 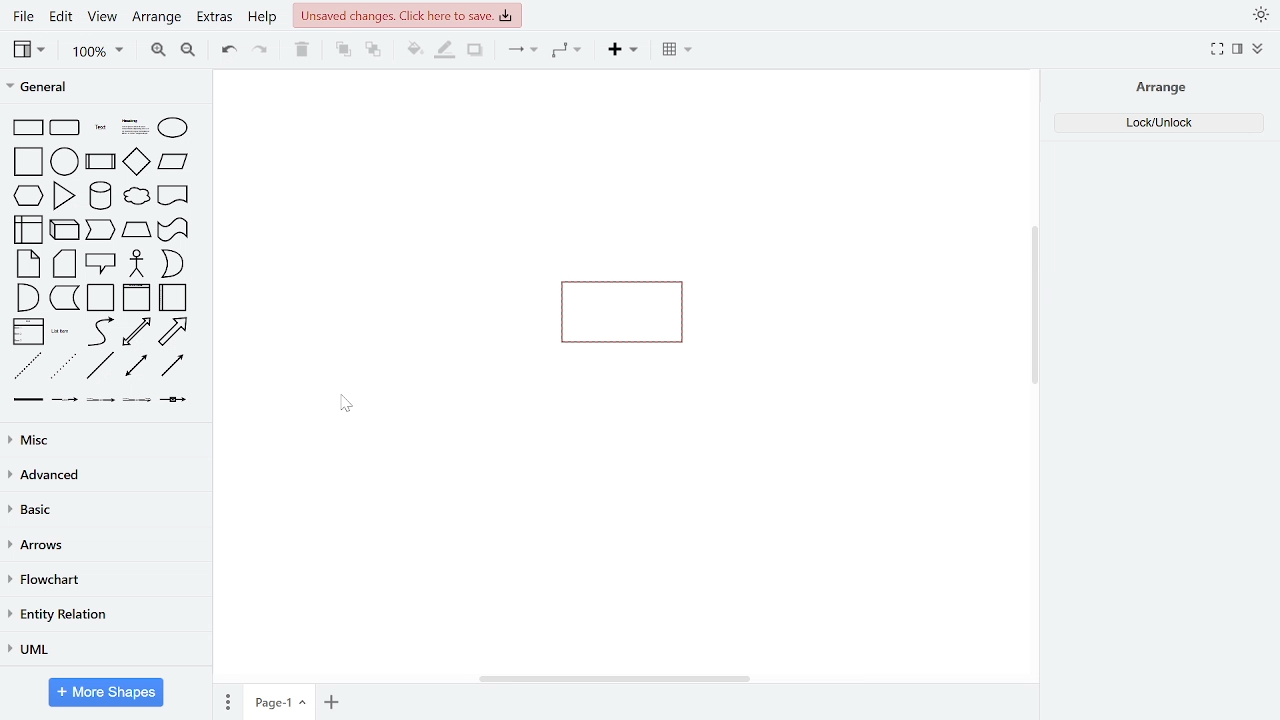 I want to click on line, so click(x=100, y=365).